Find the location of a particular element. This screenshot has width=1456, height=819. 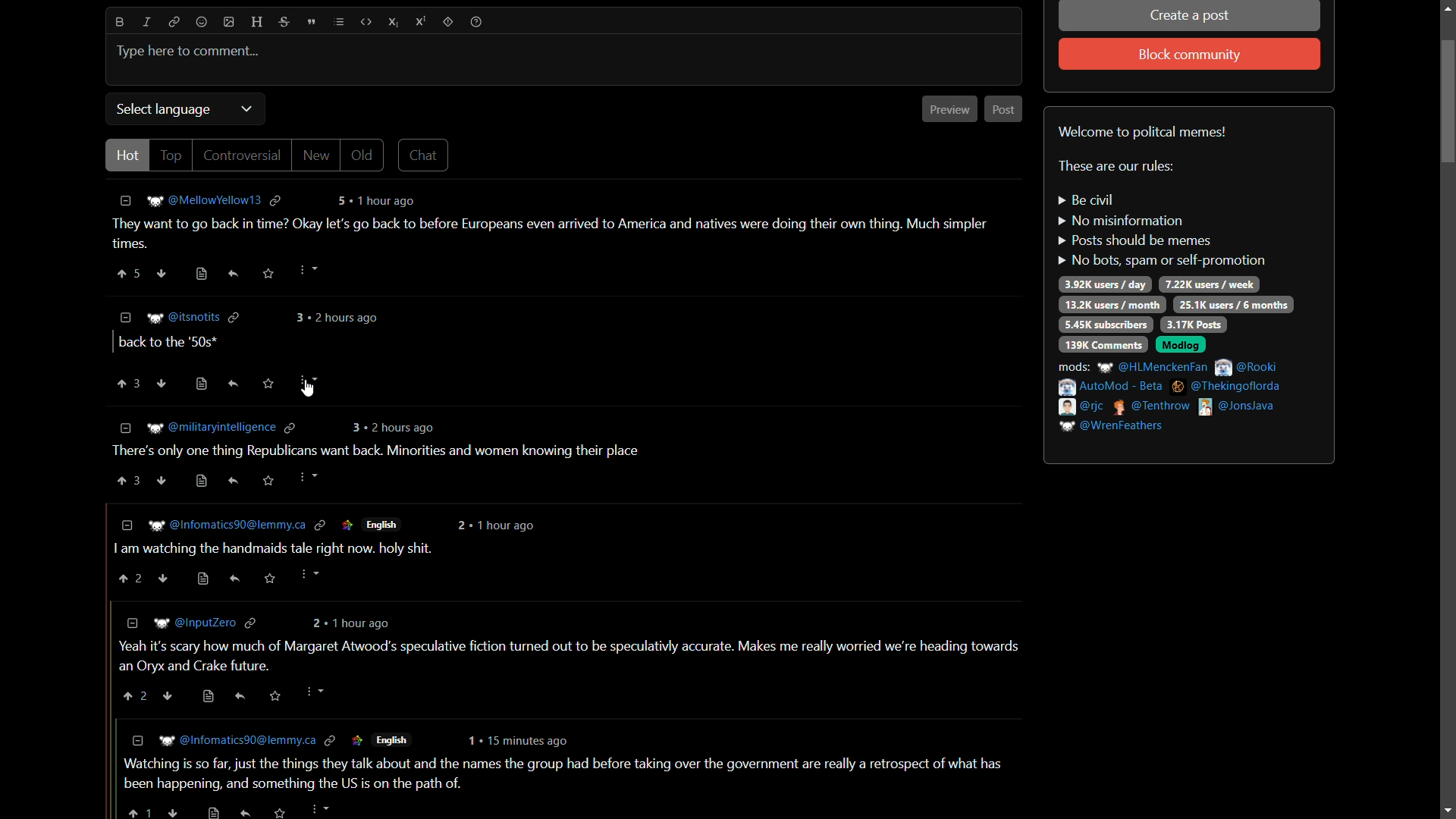

dropdown is located at coordinates (246, 109).